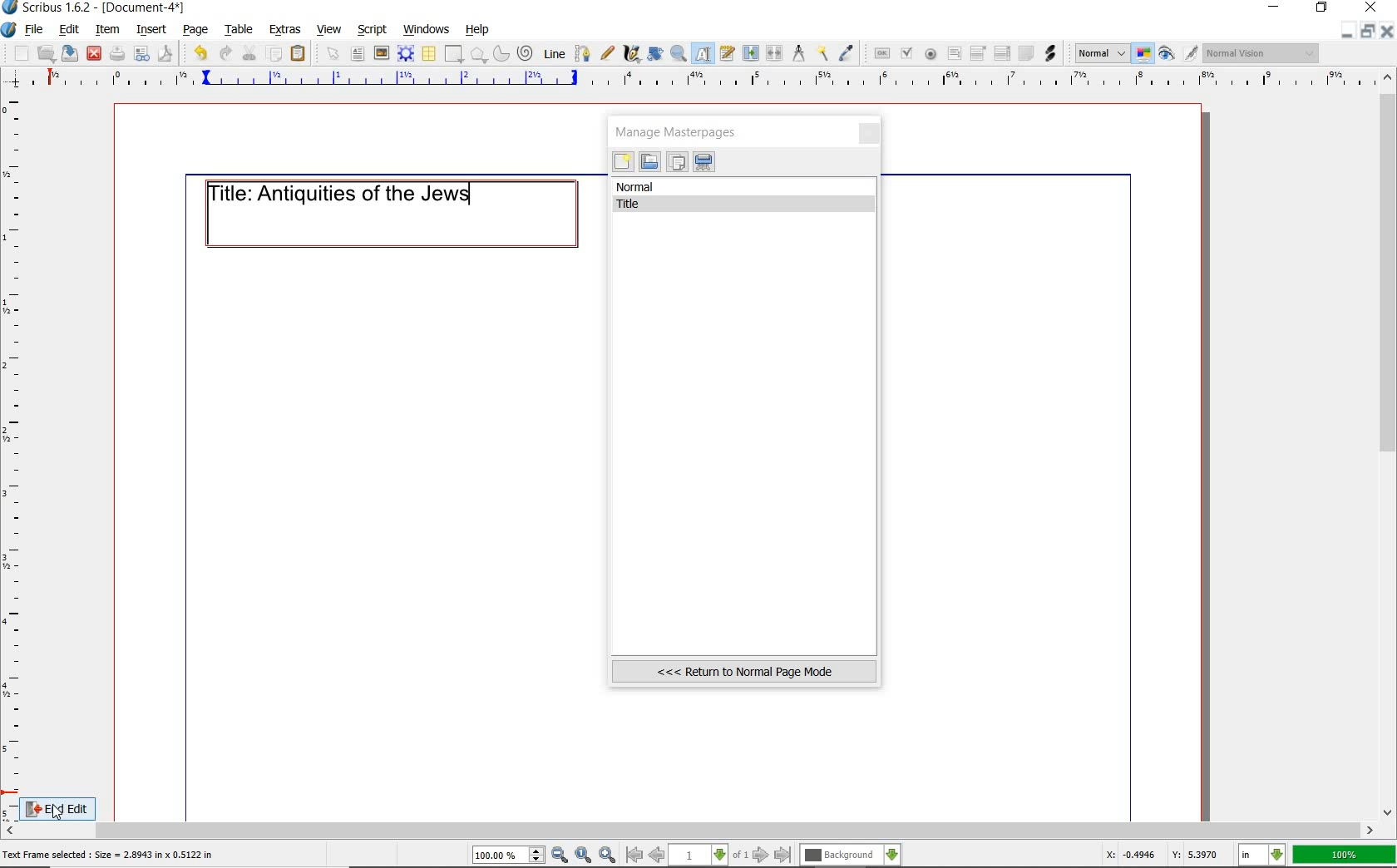 The width and height of the screenshot is (1397, 868). I want to click on extras, so click(286, 30).